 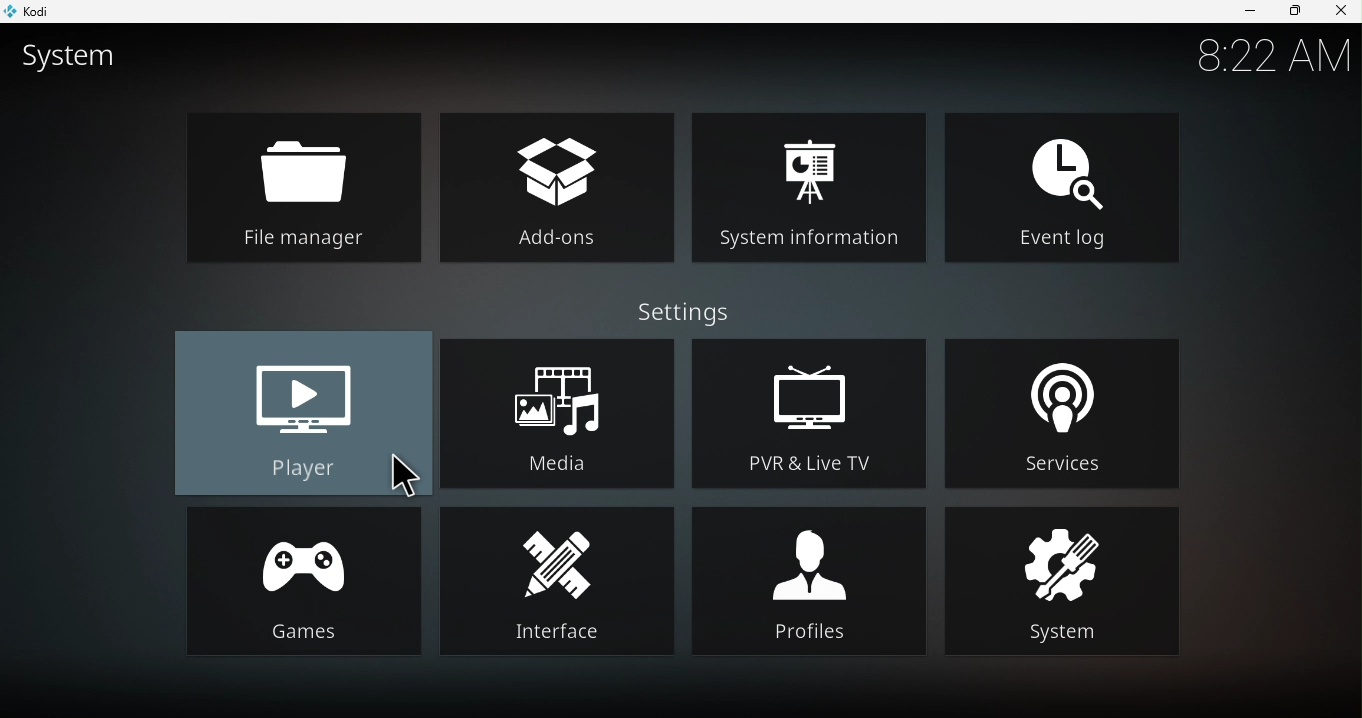 What do you see at coordinates (696, 312) in the screenshot?
I see `Settings` at bounding box center [696, 312].